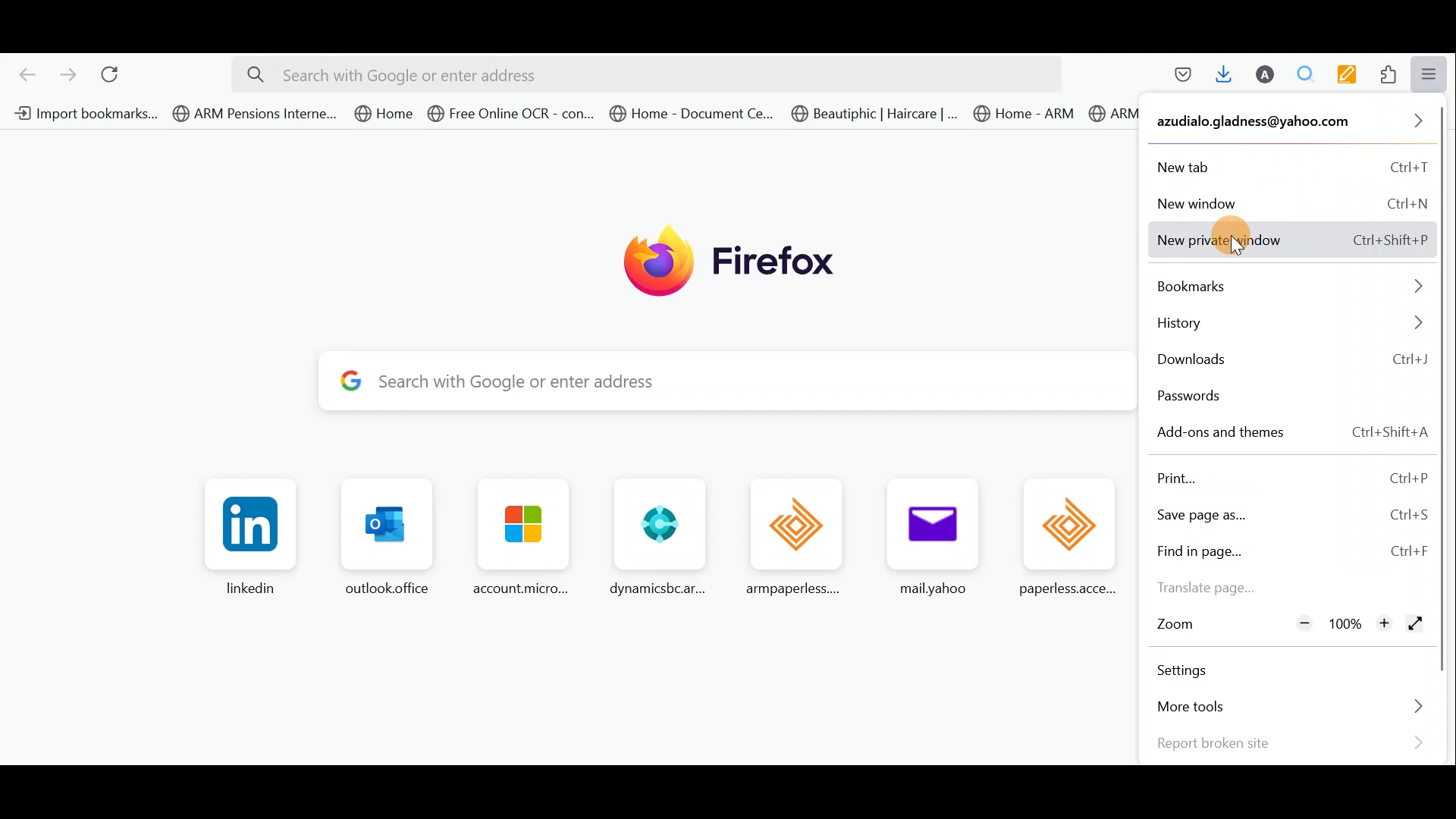 The width and height of the screenshot is (1456, 819). I want to click on Home, so click(385, 113).